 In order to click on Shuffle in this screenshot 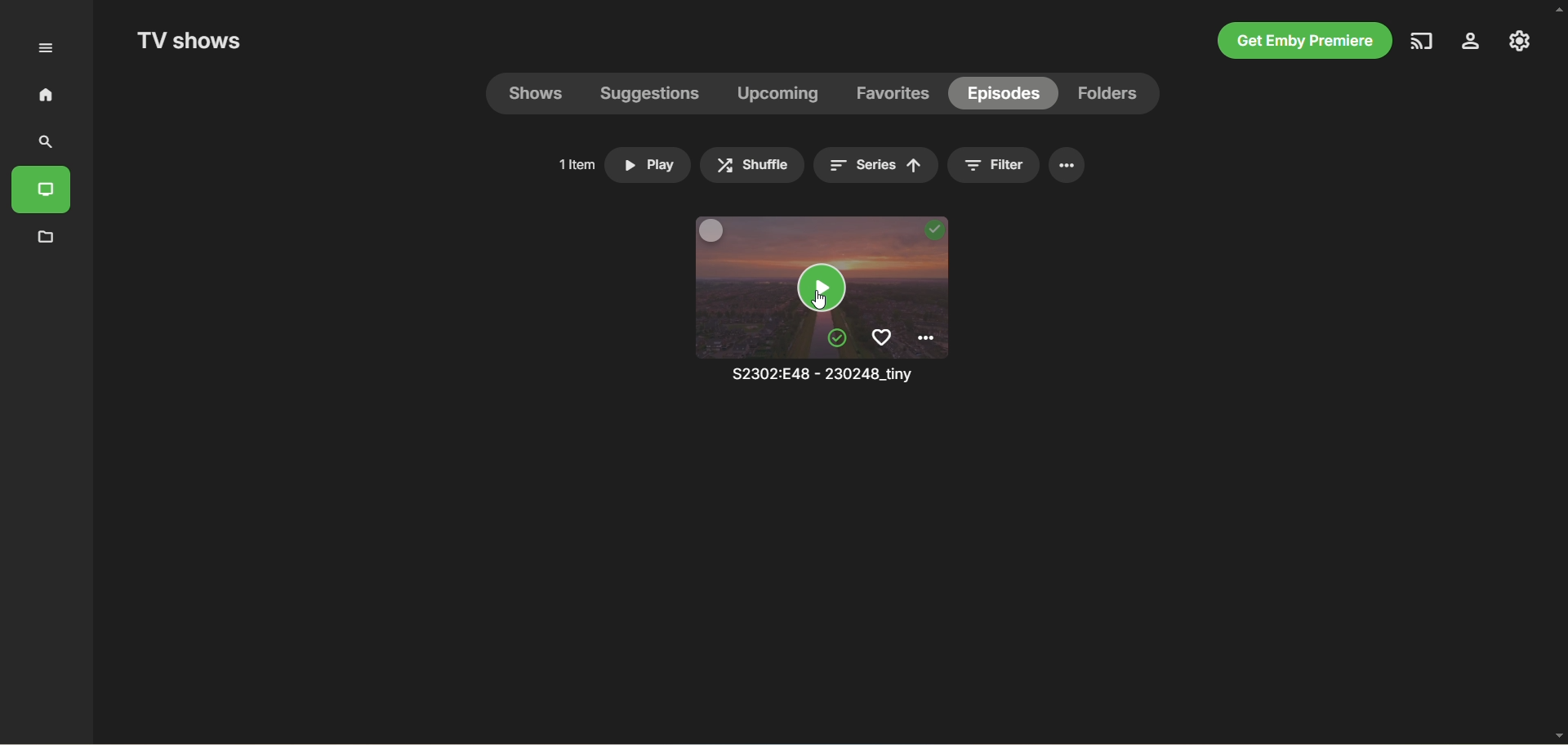, I will do `click(752, 165)`.